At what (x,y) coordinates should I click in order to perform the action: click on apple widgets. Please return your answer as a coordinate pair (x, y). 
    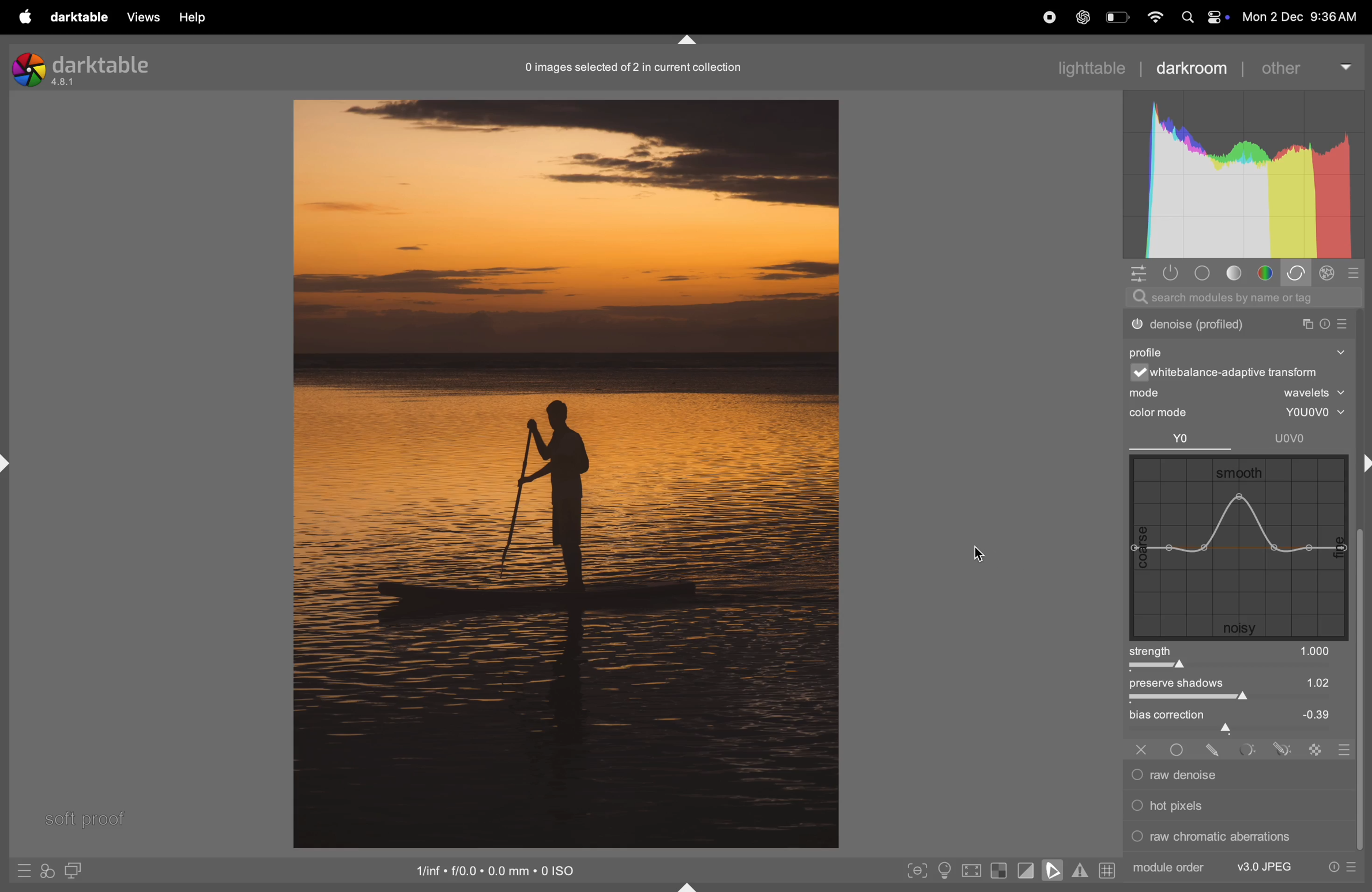
    Looking at the image, I should click on (1201, 17).